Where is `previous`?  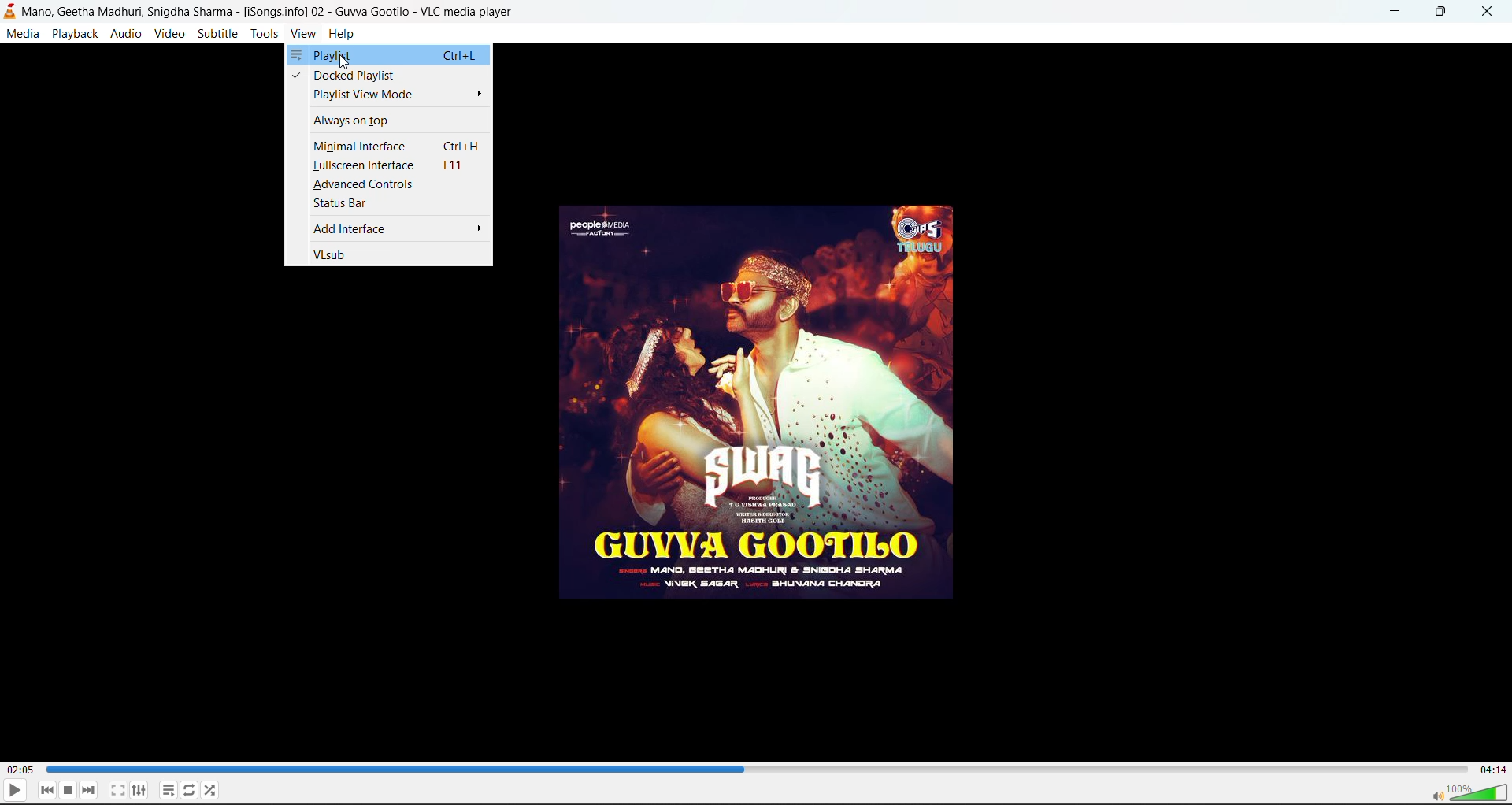
previous is located at coordinates (47, 791).